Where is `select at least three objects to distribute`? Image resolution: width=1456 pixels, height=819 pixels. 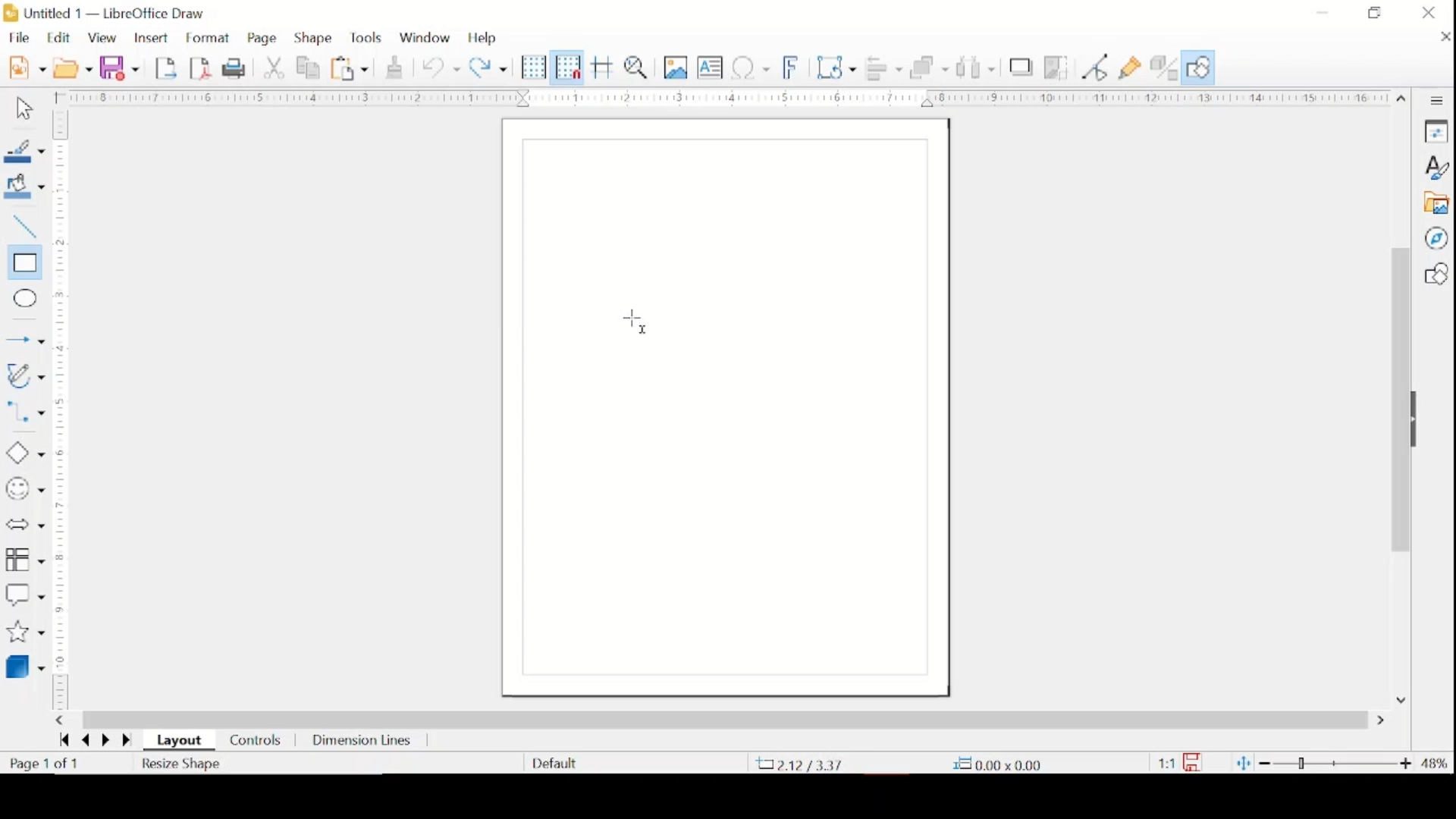
select at least three objects to distribute is located at coordinates (977, 67).